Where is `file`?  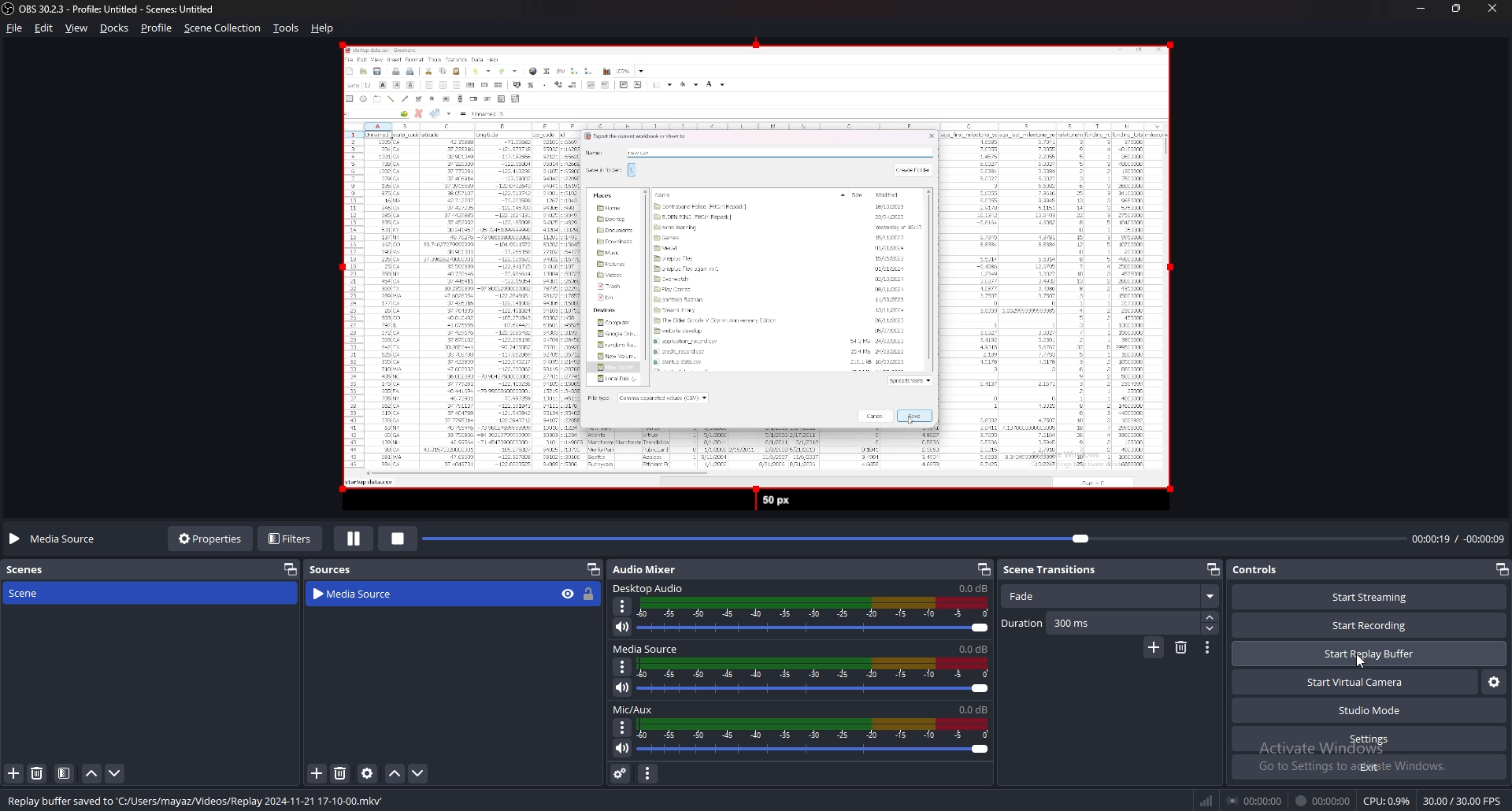 file is located at coordinates (15, 28).